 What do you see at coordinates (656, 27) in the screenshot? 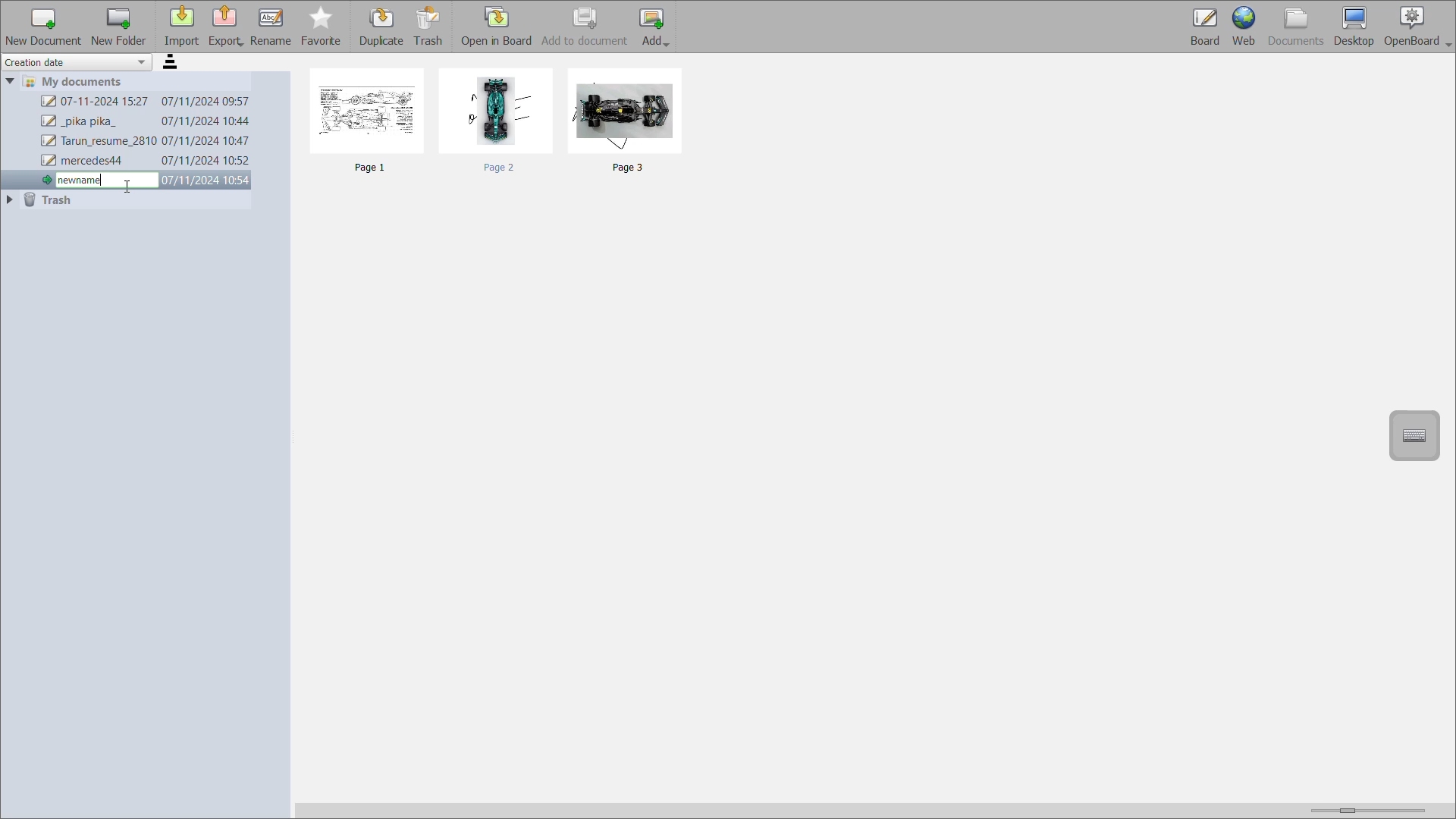
I see `add` at bounding box center [656, 27].